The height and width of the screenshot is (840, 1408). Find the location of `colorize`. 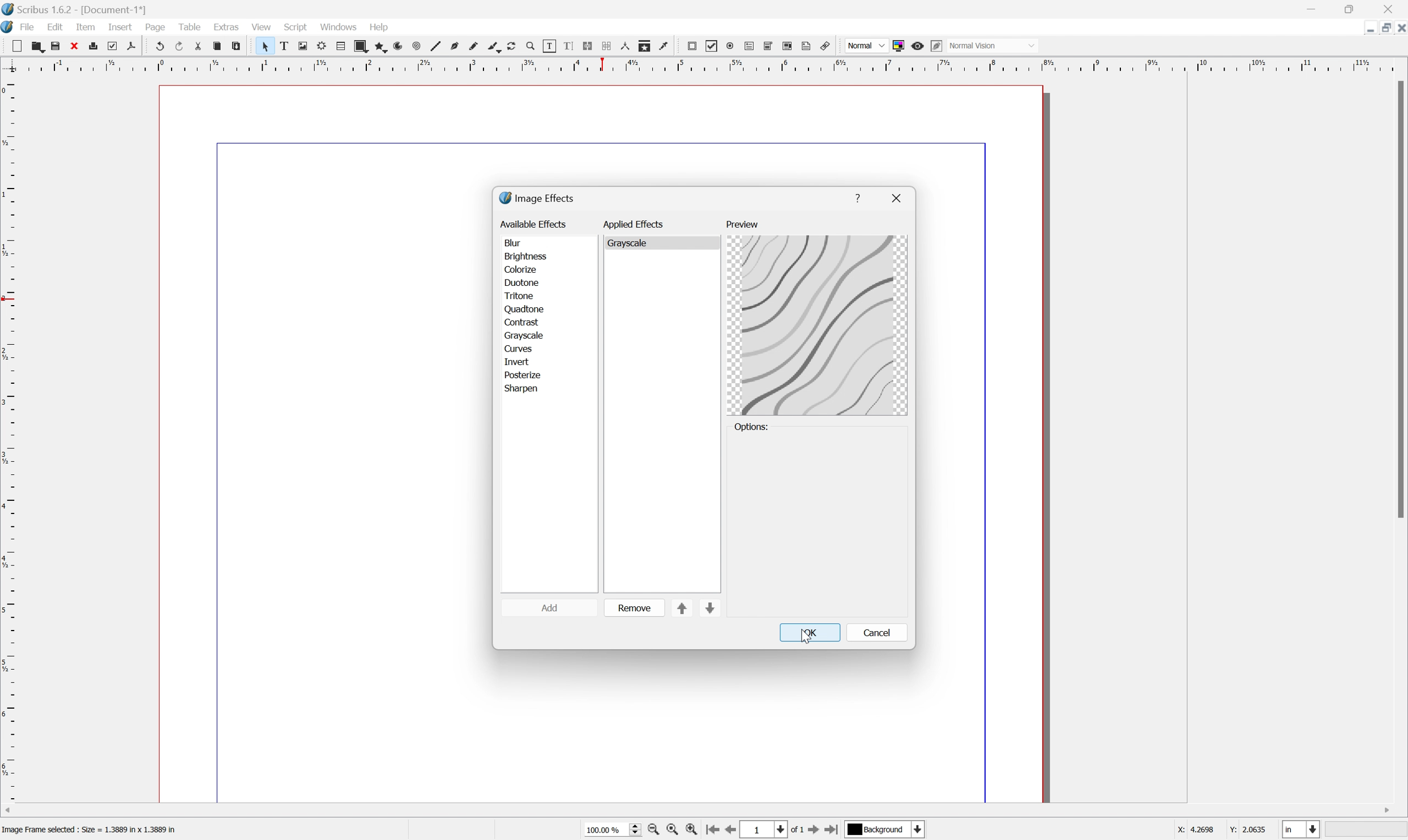

colorize is located at coordinates (520, 270).